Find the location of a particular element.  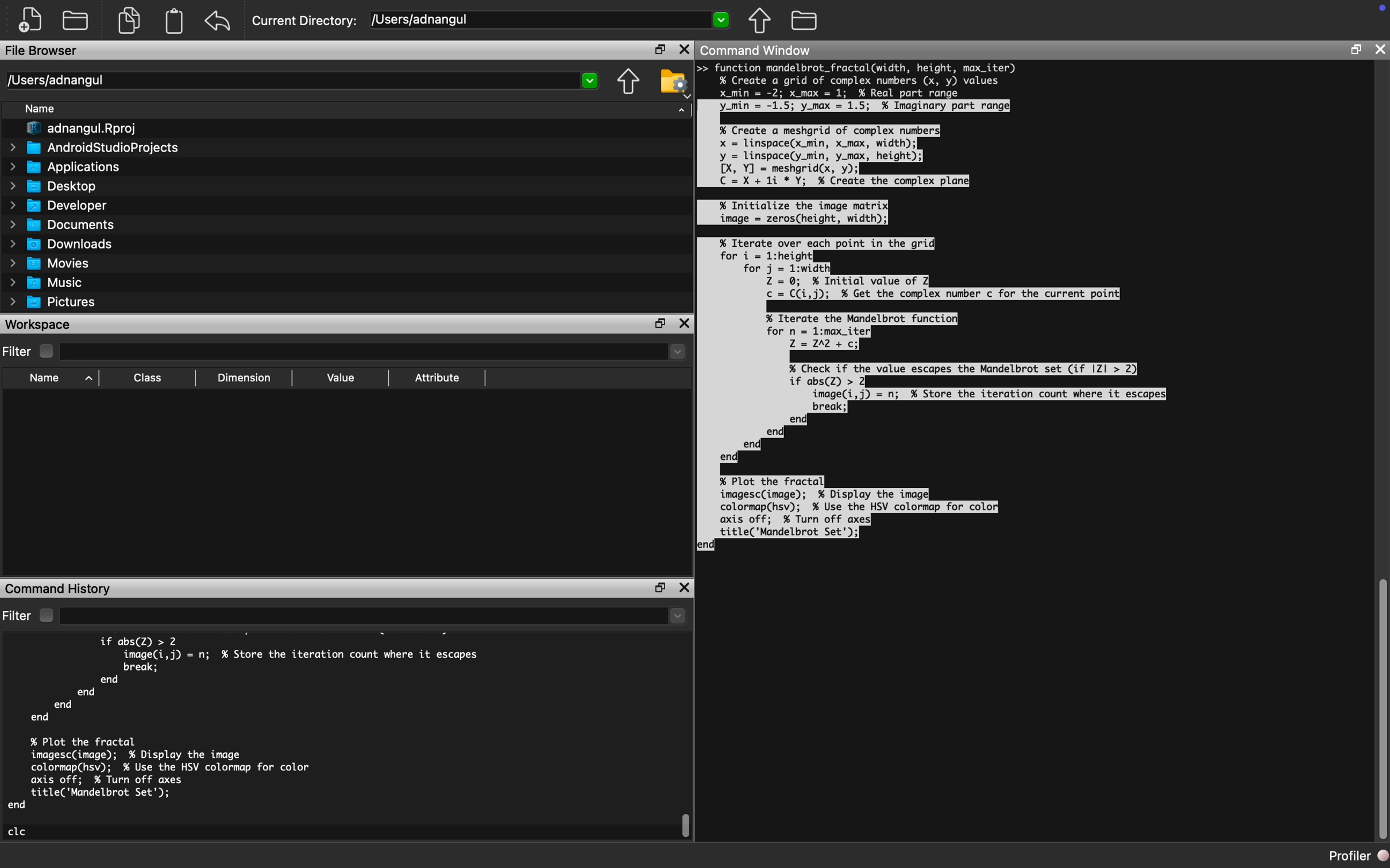

Folder Setting is located at coordinates (674, 82).